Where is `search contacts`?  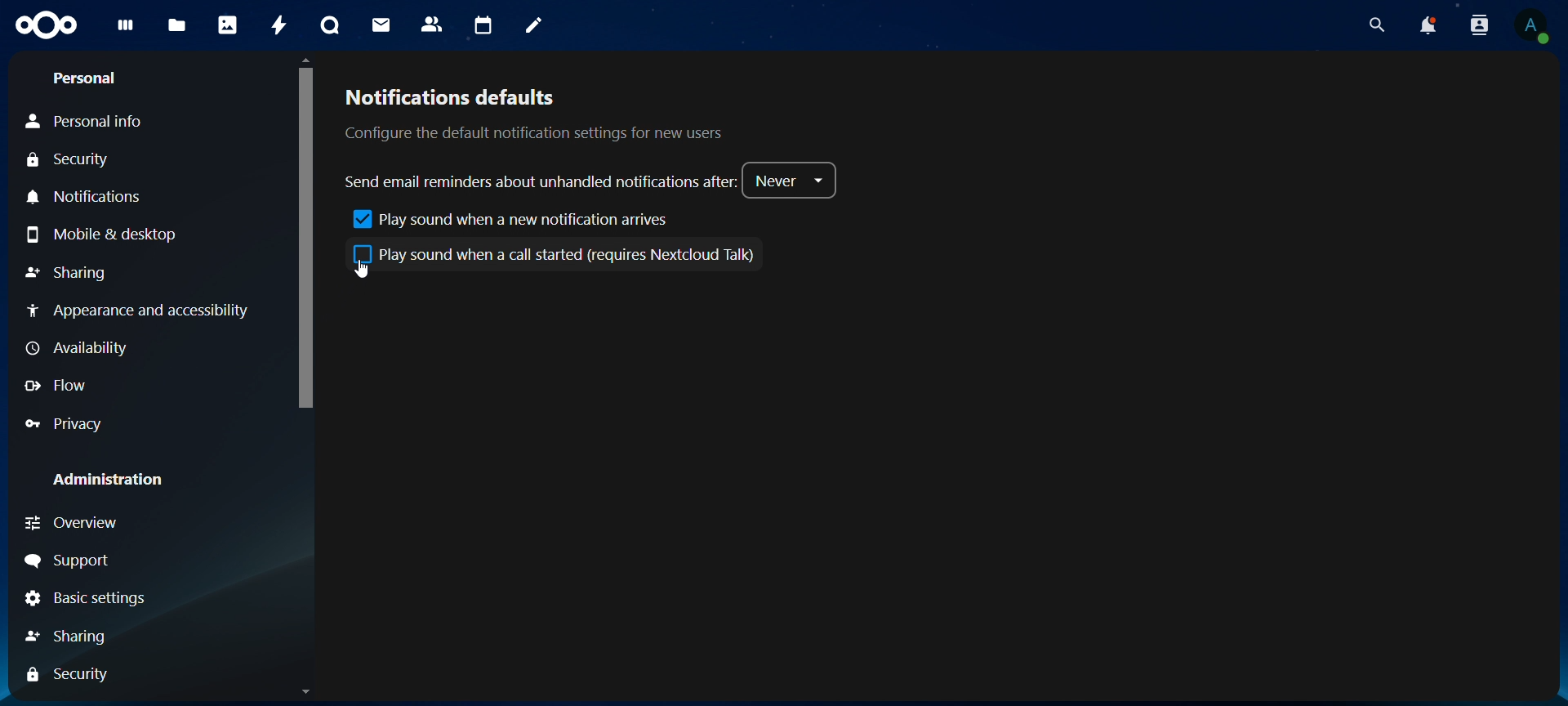
search contacts is located at coordinates (1480, 26).